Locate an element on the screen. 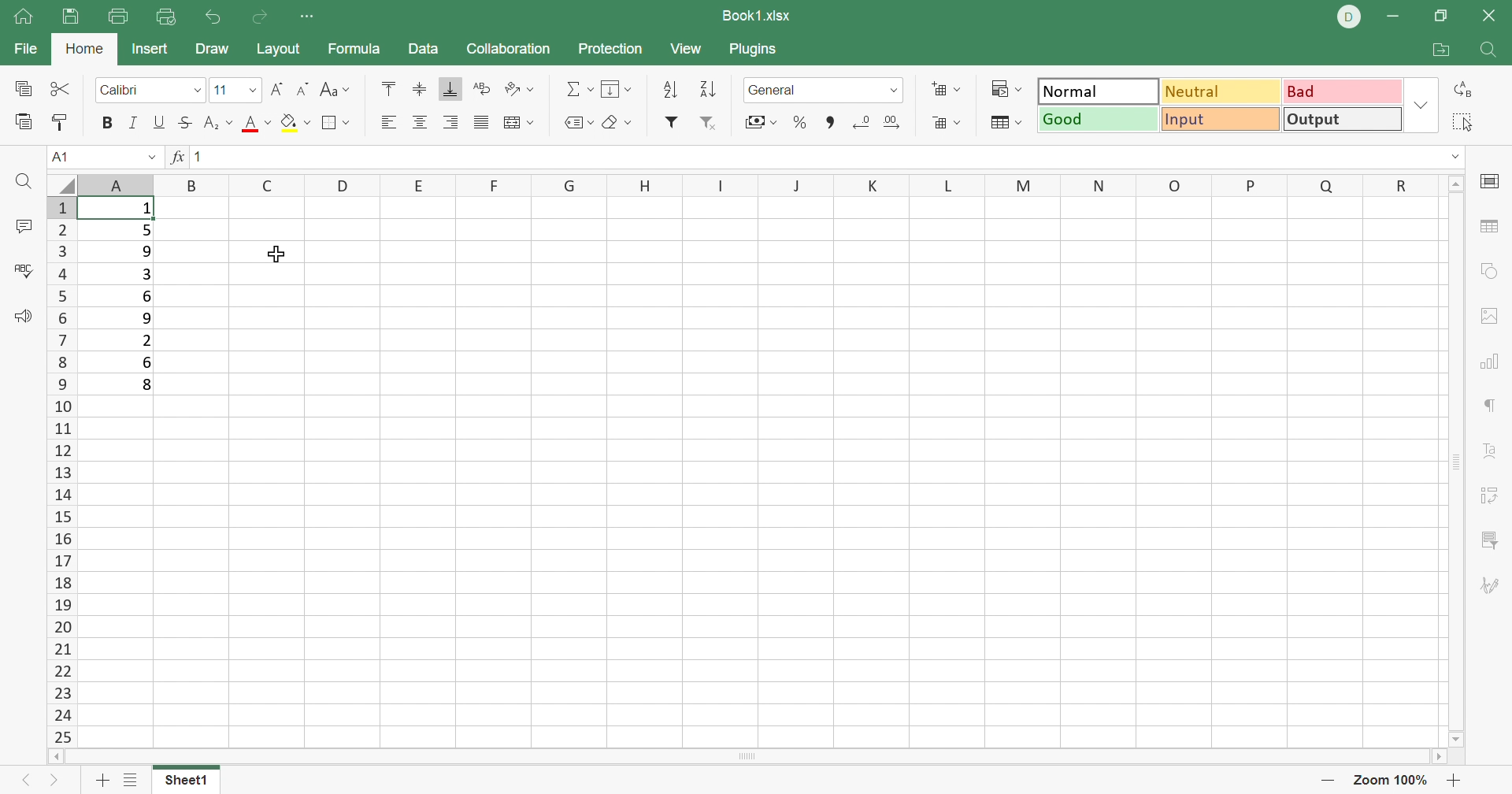  Home is located at coordinates (83, 46).